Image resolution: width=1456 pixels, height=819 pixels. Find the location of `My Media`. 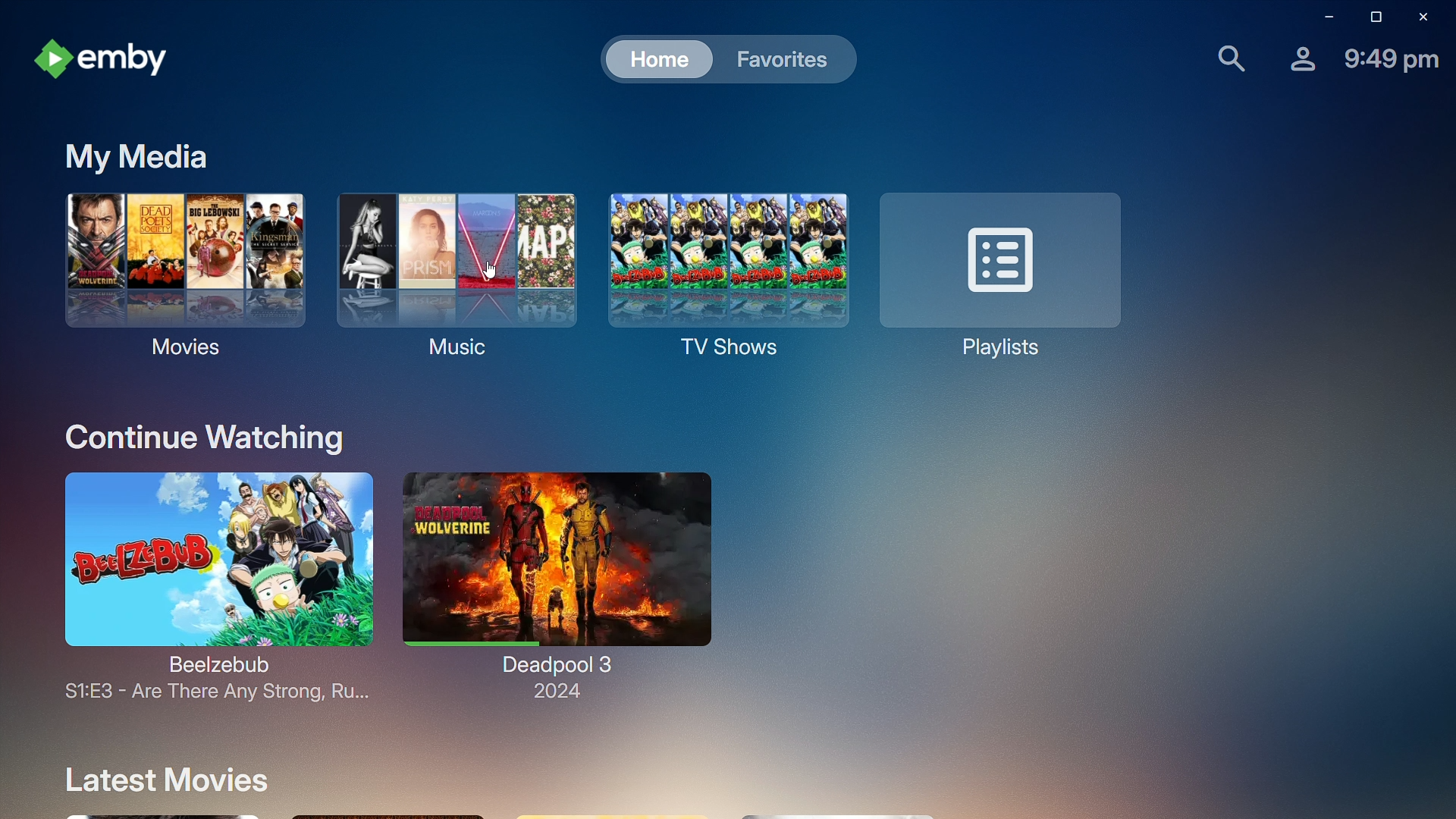

My Media is located at coordinates (133, 154).